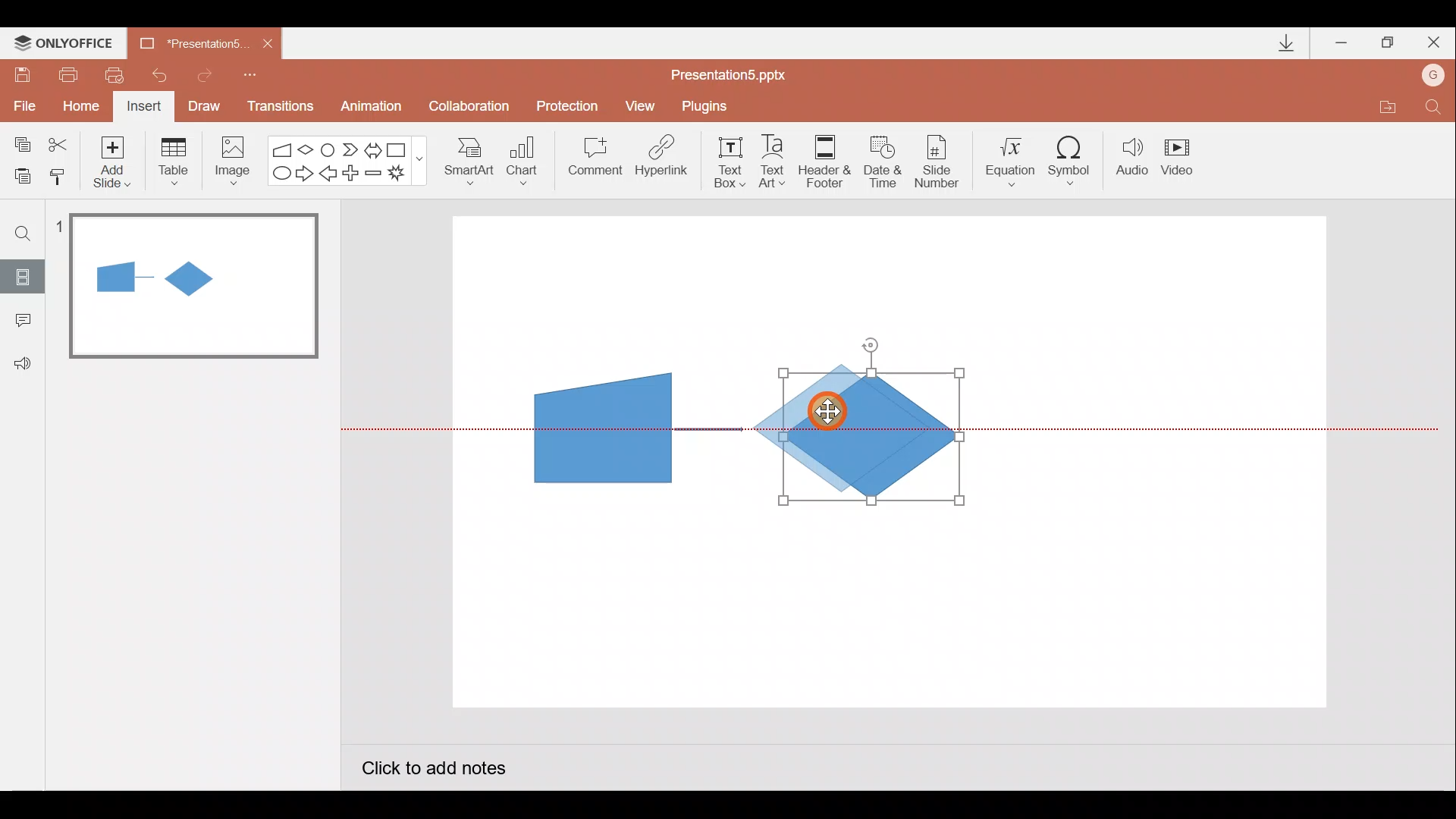  What do you see at coordinates (268, 44) in the screenshot?
I see `Close` at bounding box center [268, 44].